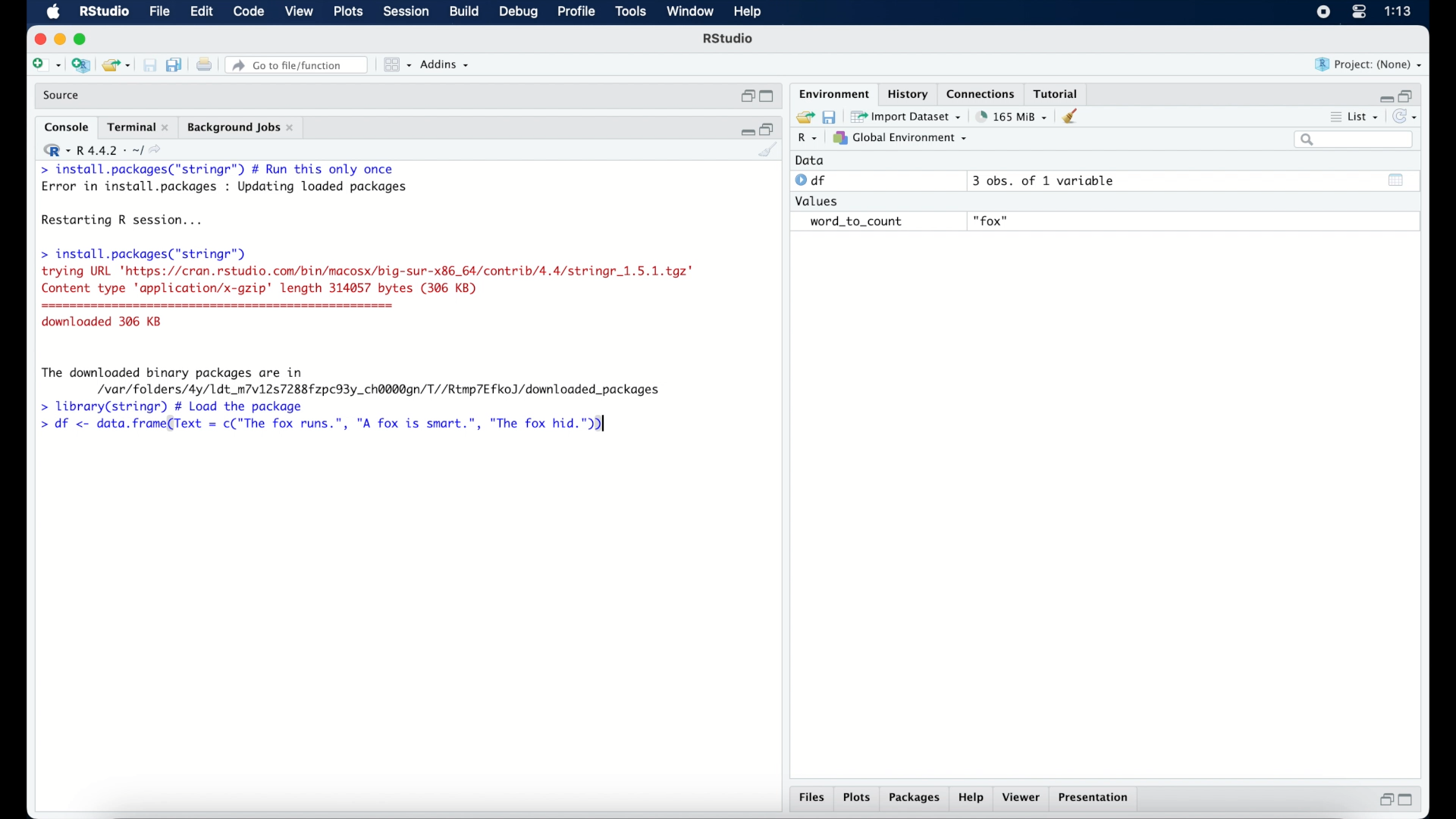 This screenshot has width=1456, height=819. I want to click on maximize, so click(769, 97).